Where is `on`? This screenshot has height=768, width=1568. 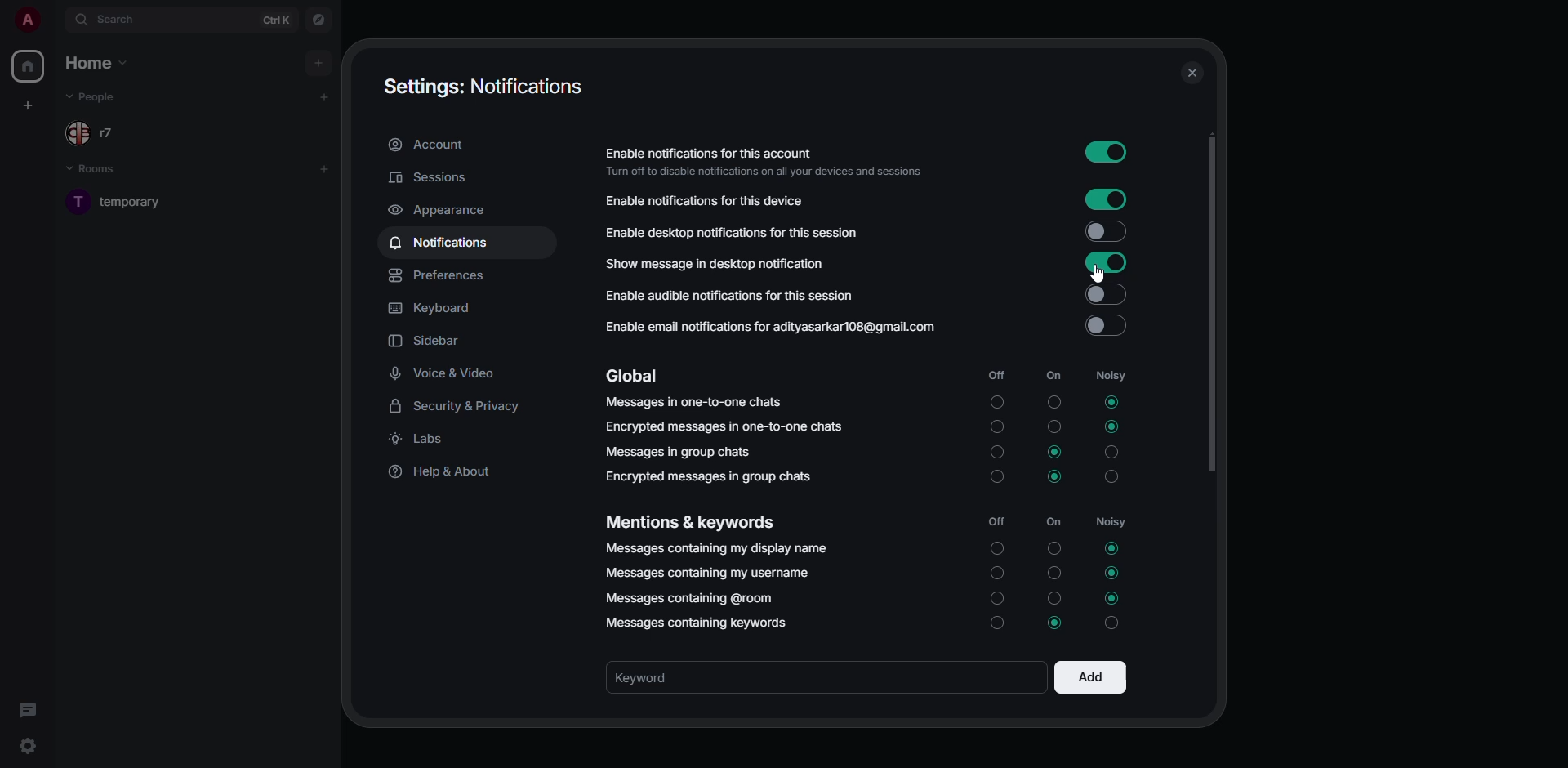 on is located at coordinates (1054, 375).